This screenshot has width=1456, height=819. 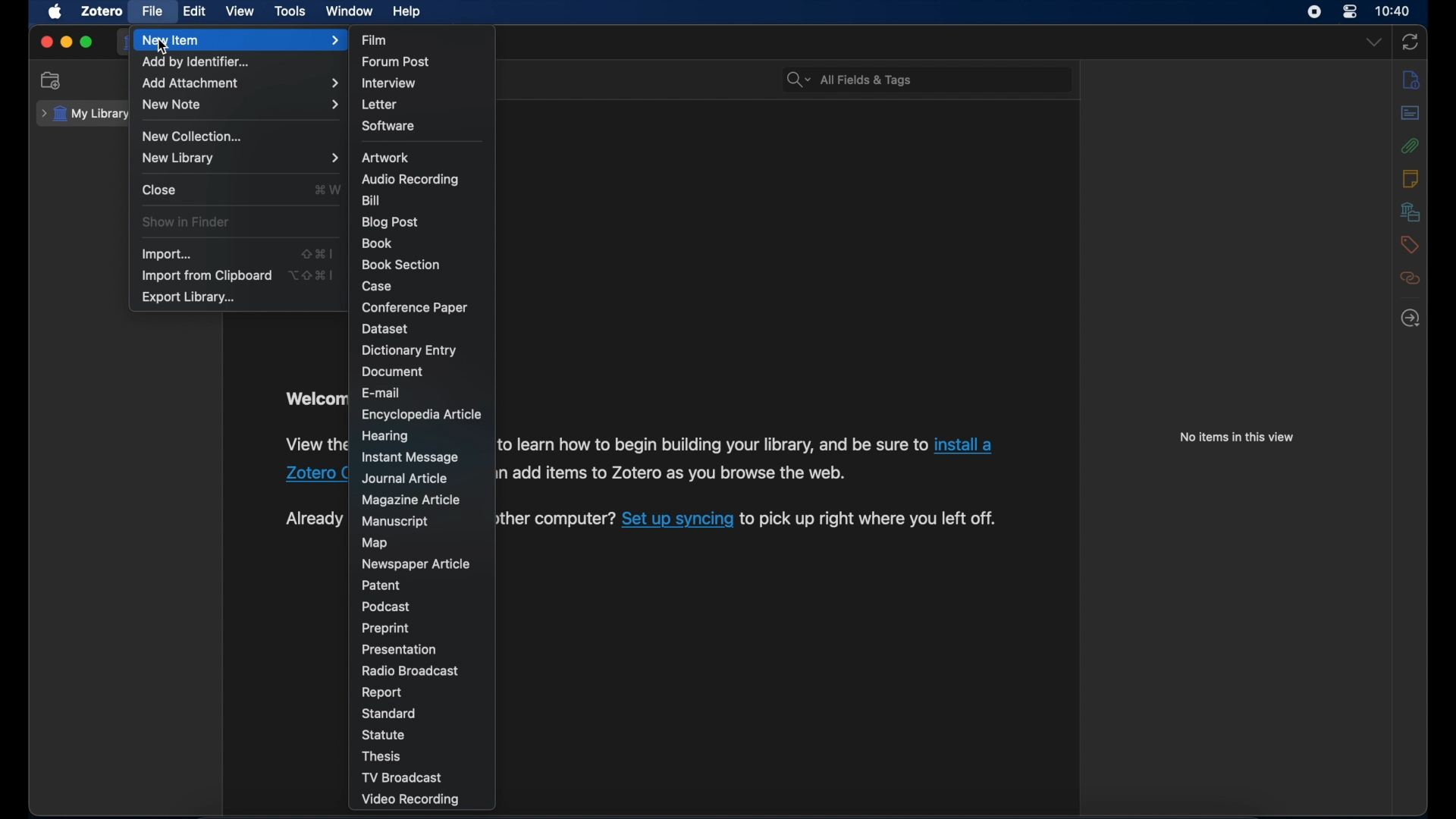 What do you see at coordinates (319, 254) in the screenshot?
I see `shortcut` at bounding box center [319, 254].